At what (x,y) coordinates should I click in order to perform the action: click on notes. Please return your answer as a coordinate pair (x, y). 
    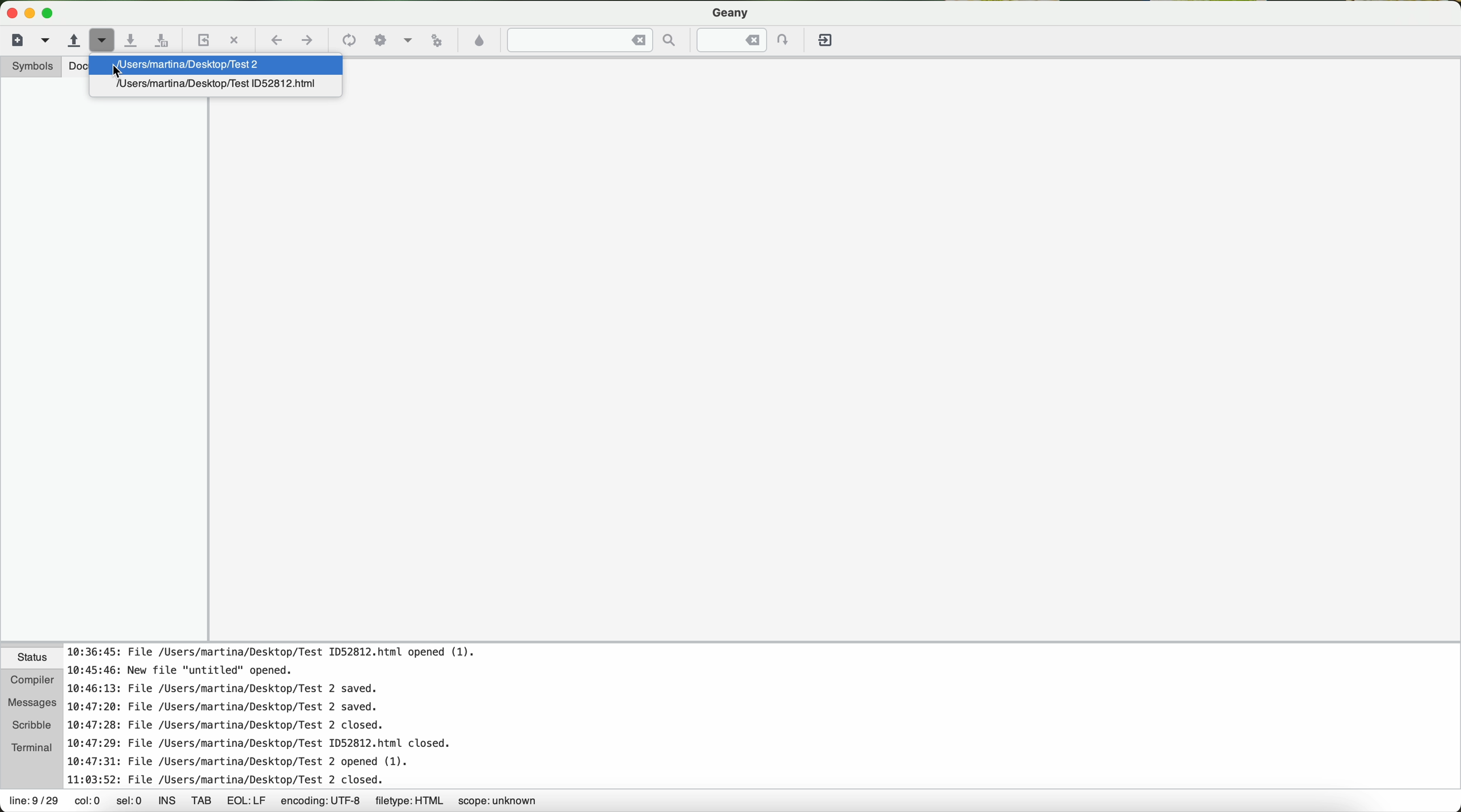
    Looking at the image, I should click on (286, 716).